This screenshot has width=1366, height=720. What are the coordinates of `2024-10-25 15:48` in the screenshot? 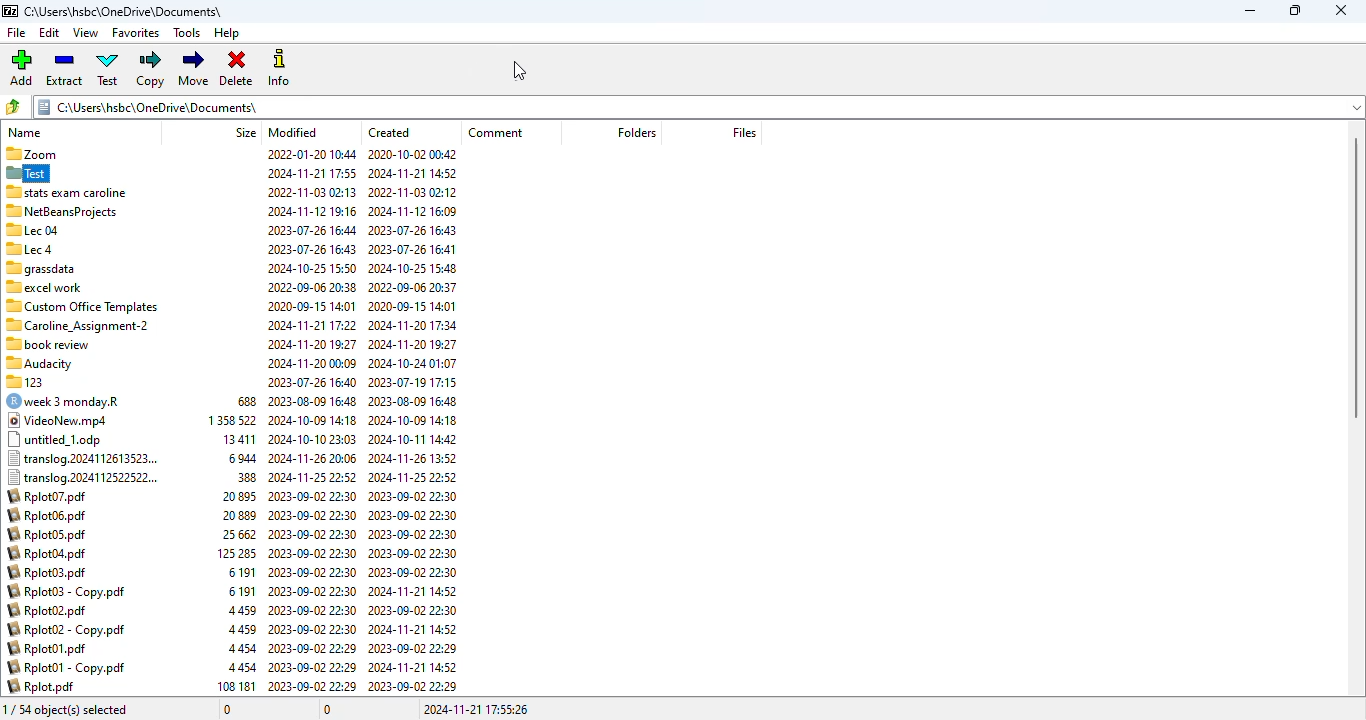 It's located at (413, 268).